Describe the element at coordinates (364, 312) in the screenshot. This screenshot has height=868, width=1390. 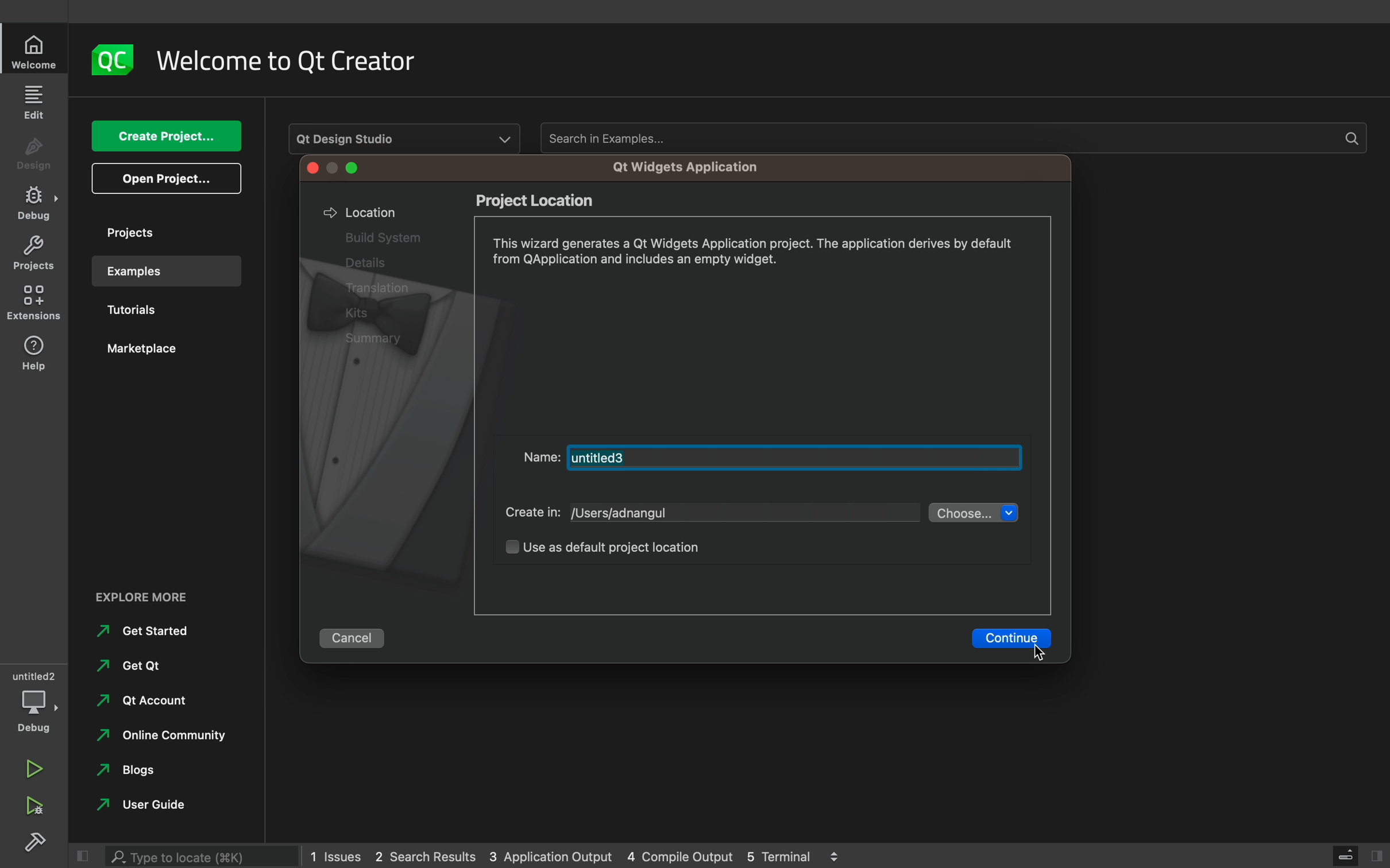
I see `kits` at that location.